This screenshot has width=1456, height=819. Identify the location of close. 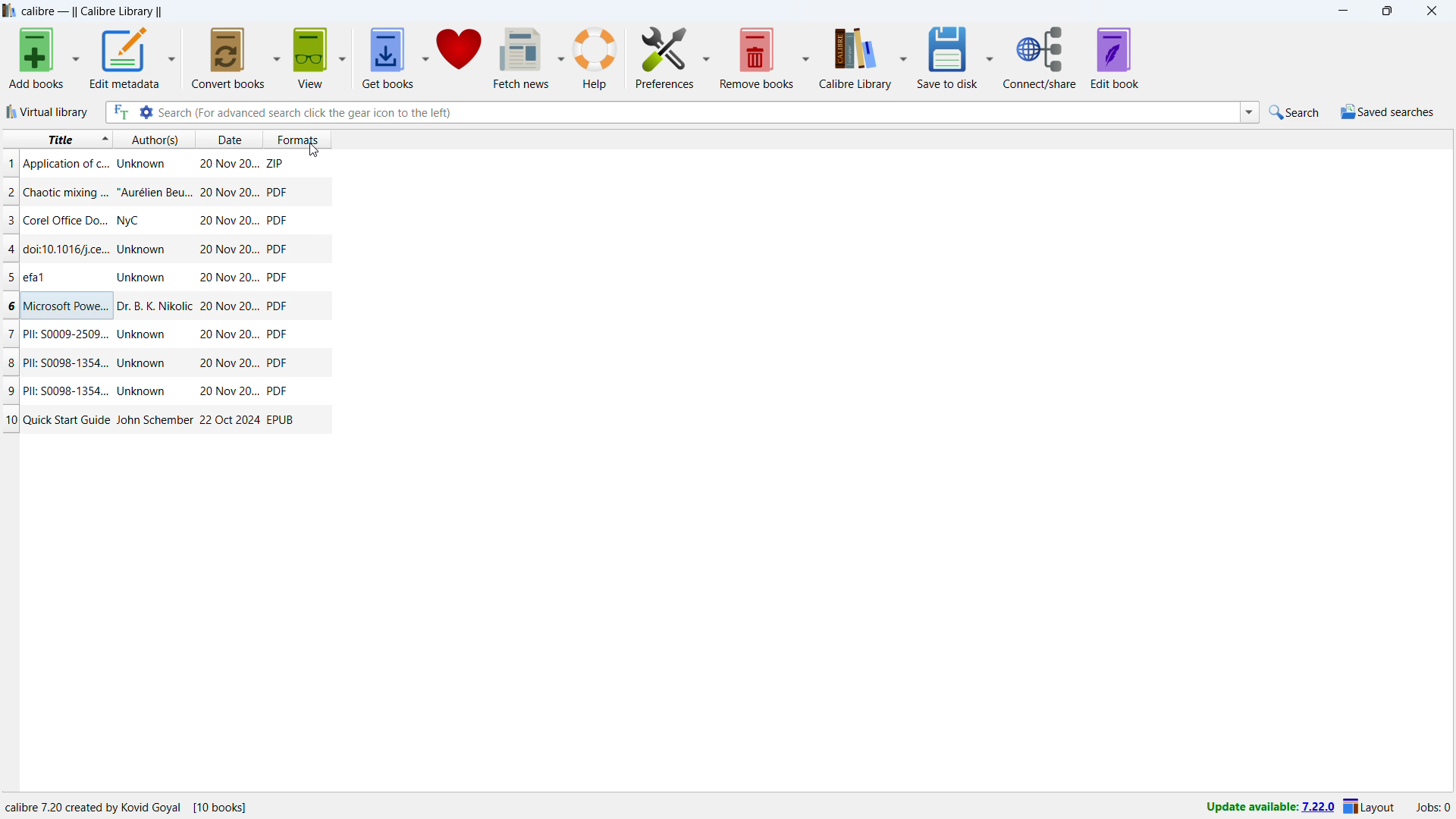
(1432, 11).